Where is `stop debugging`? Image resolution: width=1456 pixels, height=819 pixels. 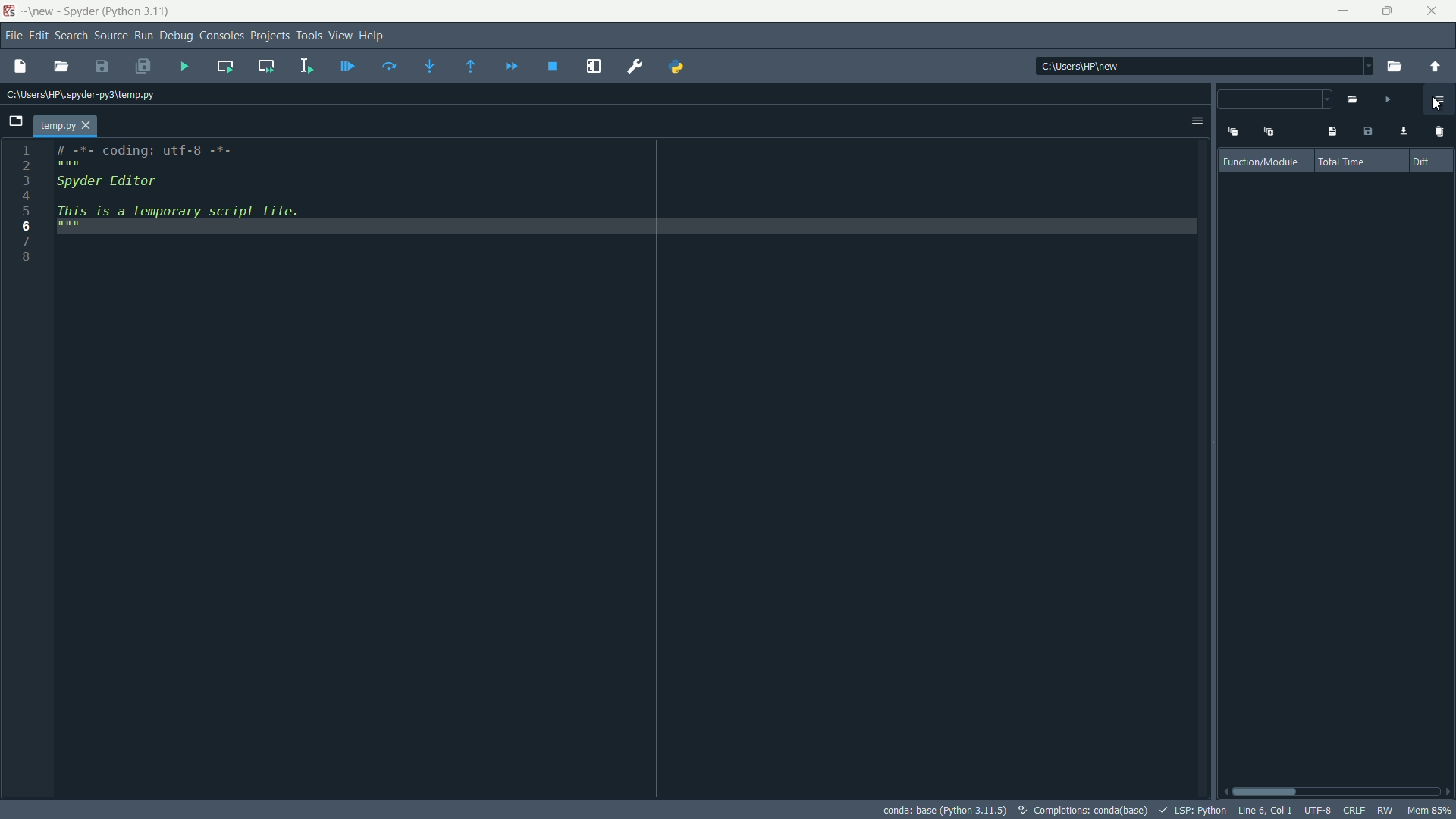 stop debugging is located at coordinates (553, 66).